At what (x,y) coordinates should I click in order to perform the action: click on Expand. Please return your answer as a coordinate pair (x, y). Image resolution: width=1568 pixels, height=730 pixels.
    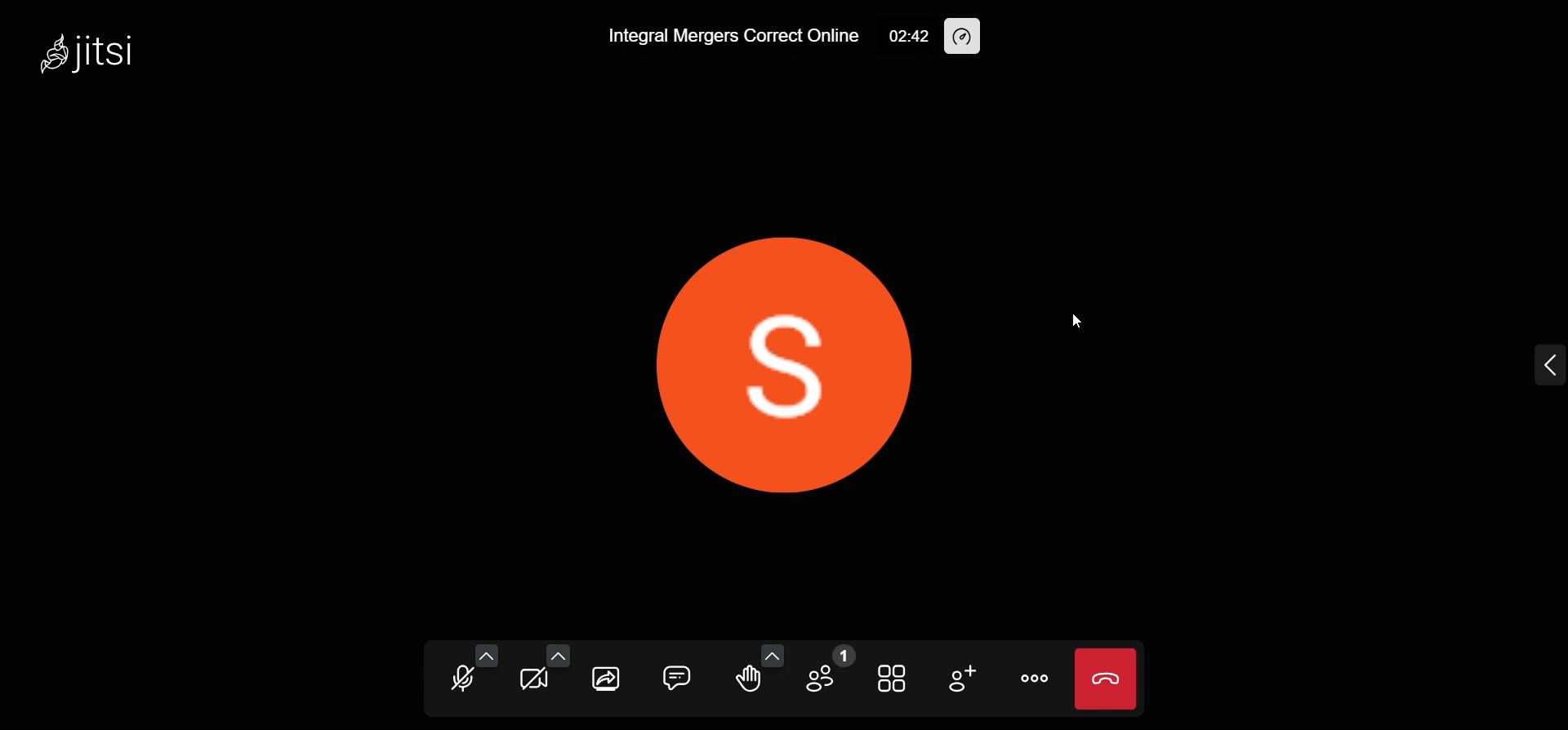
    Looking at the image, I should click on (1524, 368).